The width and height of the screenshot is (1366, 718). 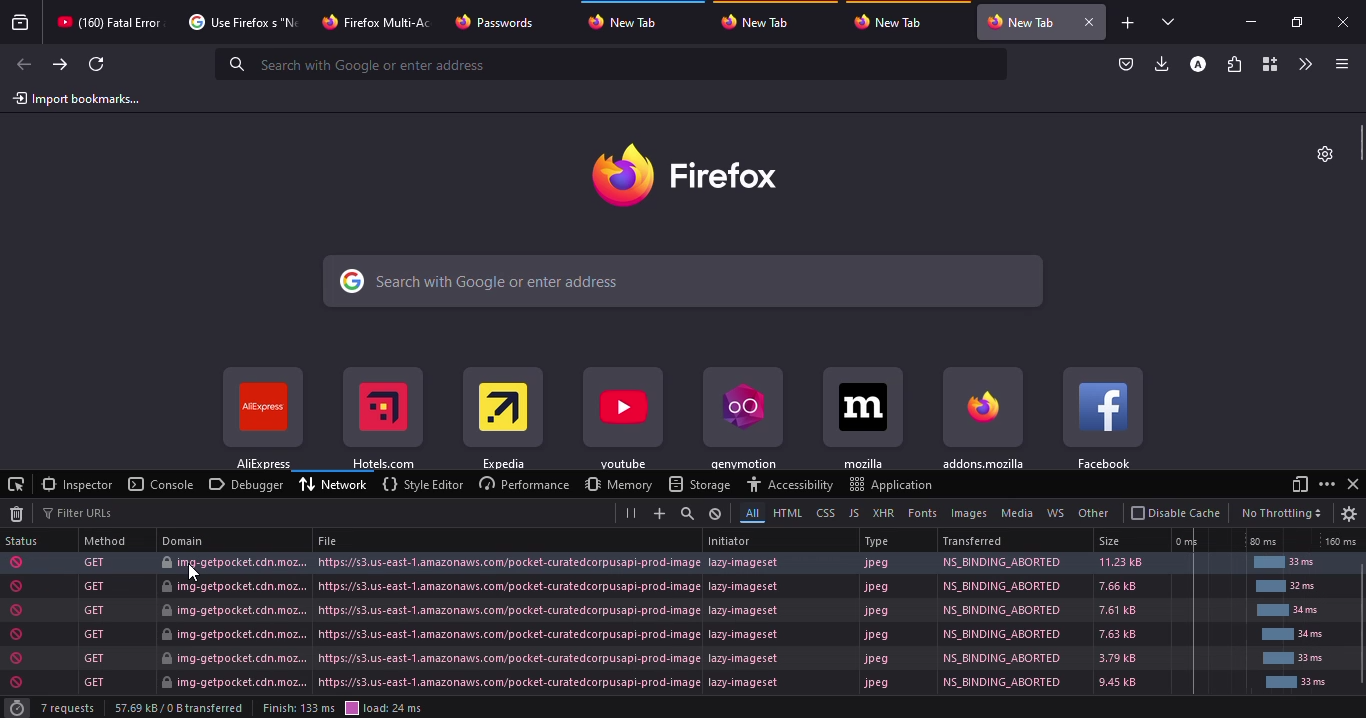 What do you see at coordinates (626, 23) in the screenshot?
I see `tab` at bounding box center [626, 23].